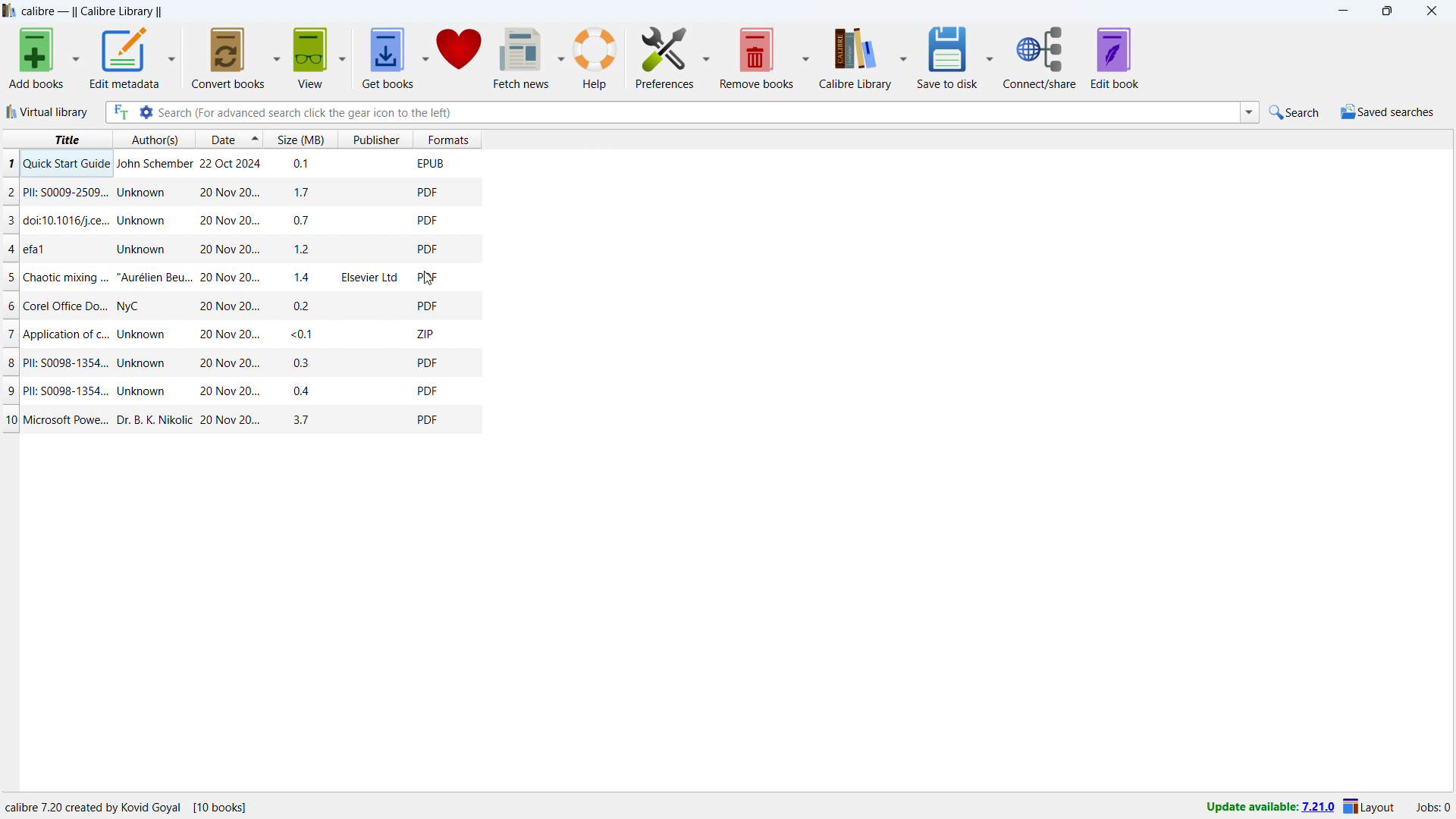  Describe the element at coordinates (990, 58) in the screenshot. I see `save to disk options` at that location.